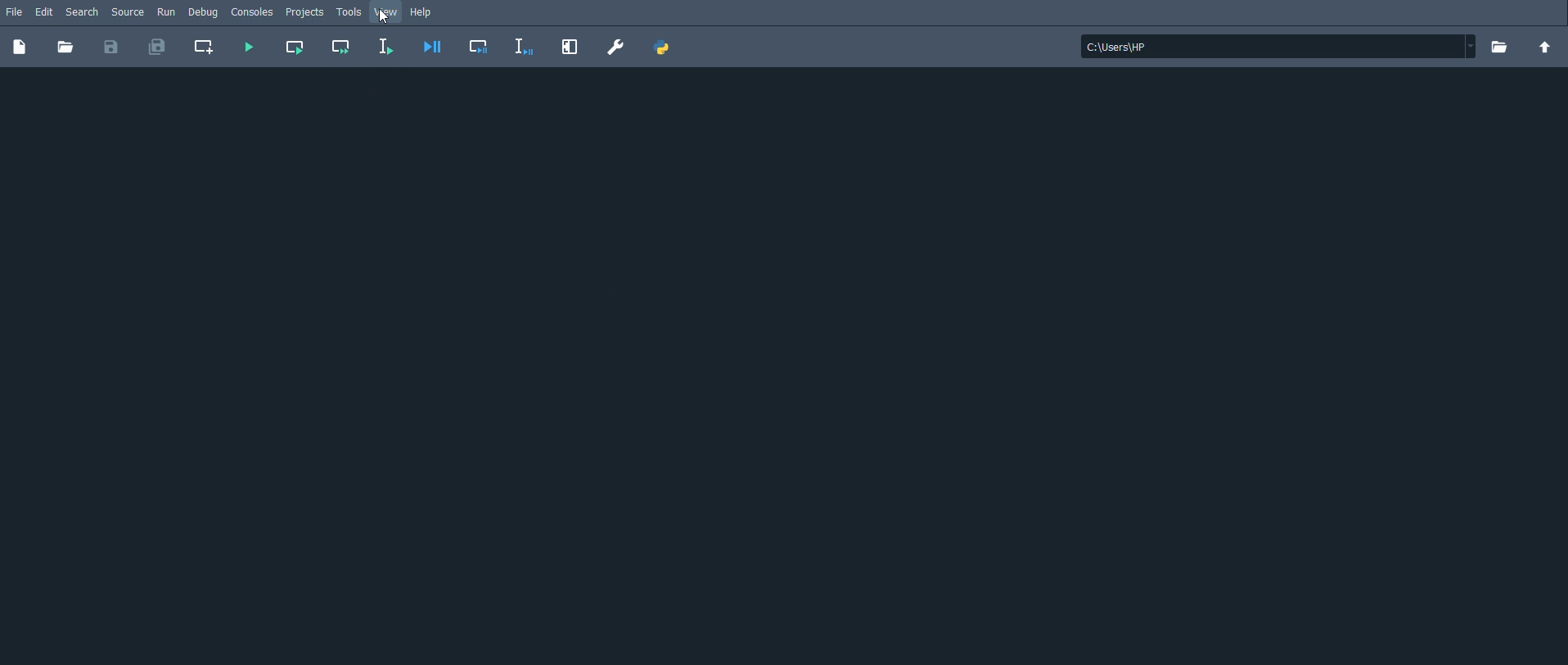 The height and width of the screenshot is (665, 1568). I want to click on Cursor, so click(386, 17).